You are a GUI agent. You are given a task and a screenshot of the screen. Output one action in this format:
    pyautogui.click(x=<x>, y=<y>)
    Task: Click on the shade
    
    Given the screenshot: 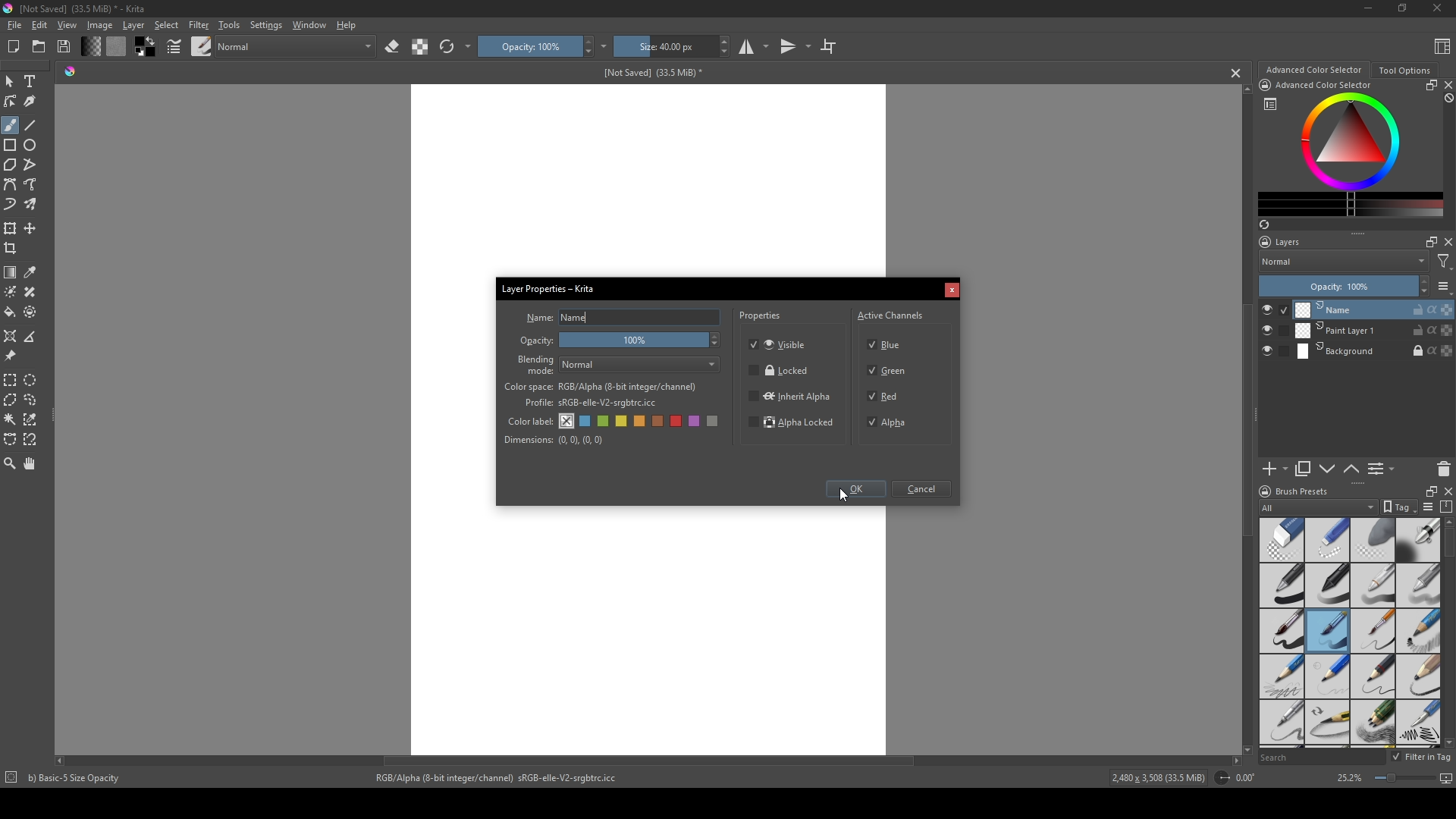 What is the action you would take?
    pyautogui.click(x=70, y=71)
    